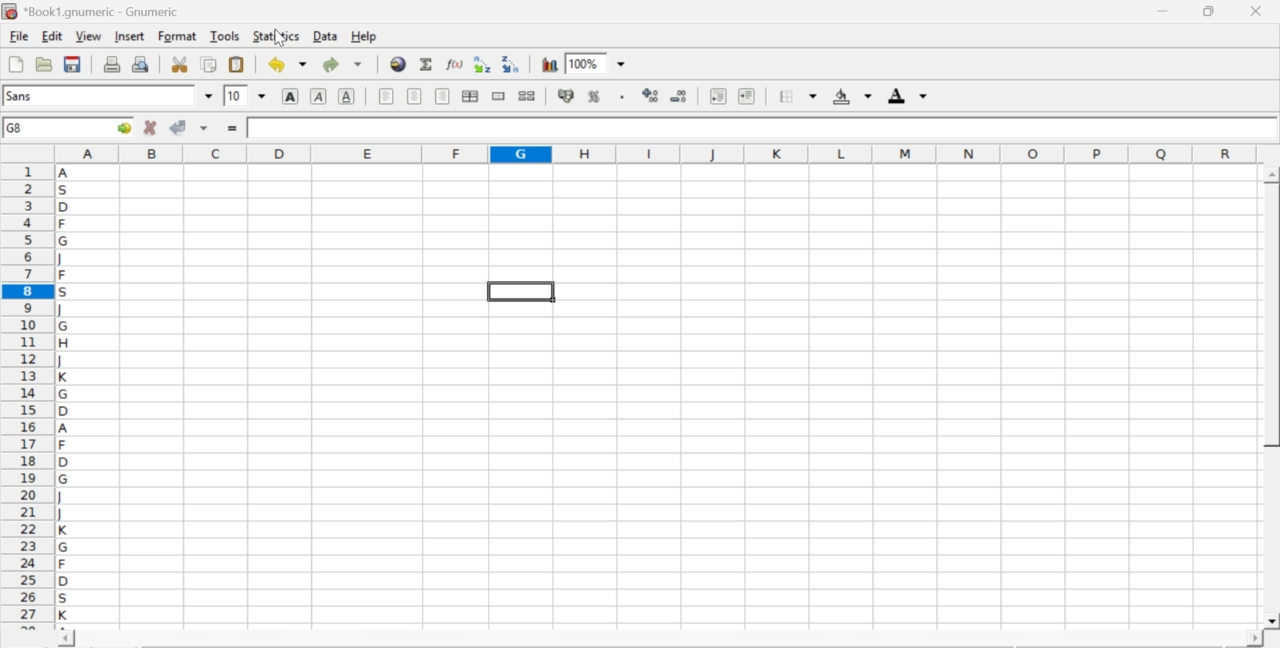 The width and height of the screenshot is (1280, 648). I want to click on italic, so click(320, 95).